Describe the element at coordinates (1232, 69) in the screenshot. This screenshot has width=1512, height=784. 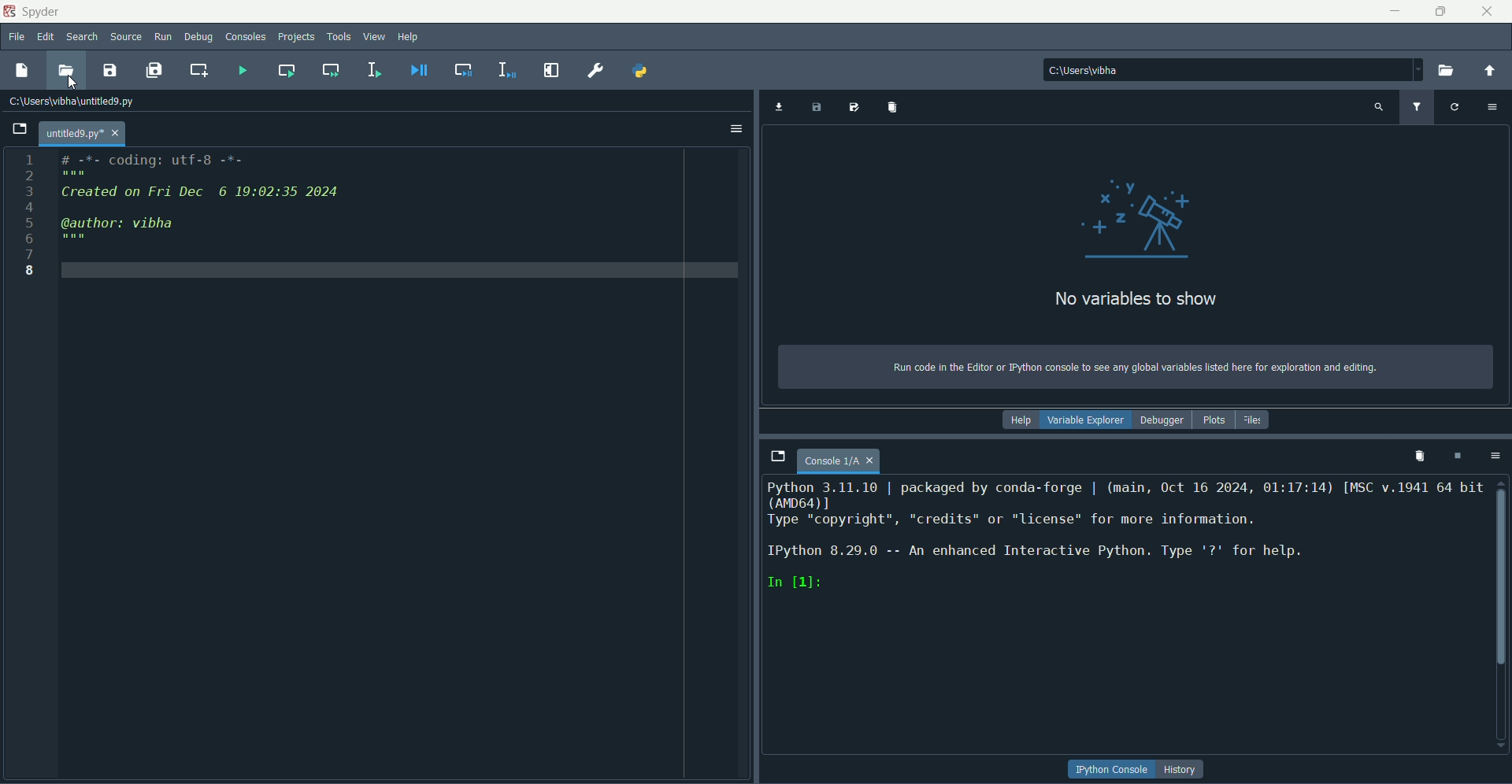
I see `file path` at that location.